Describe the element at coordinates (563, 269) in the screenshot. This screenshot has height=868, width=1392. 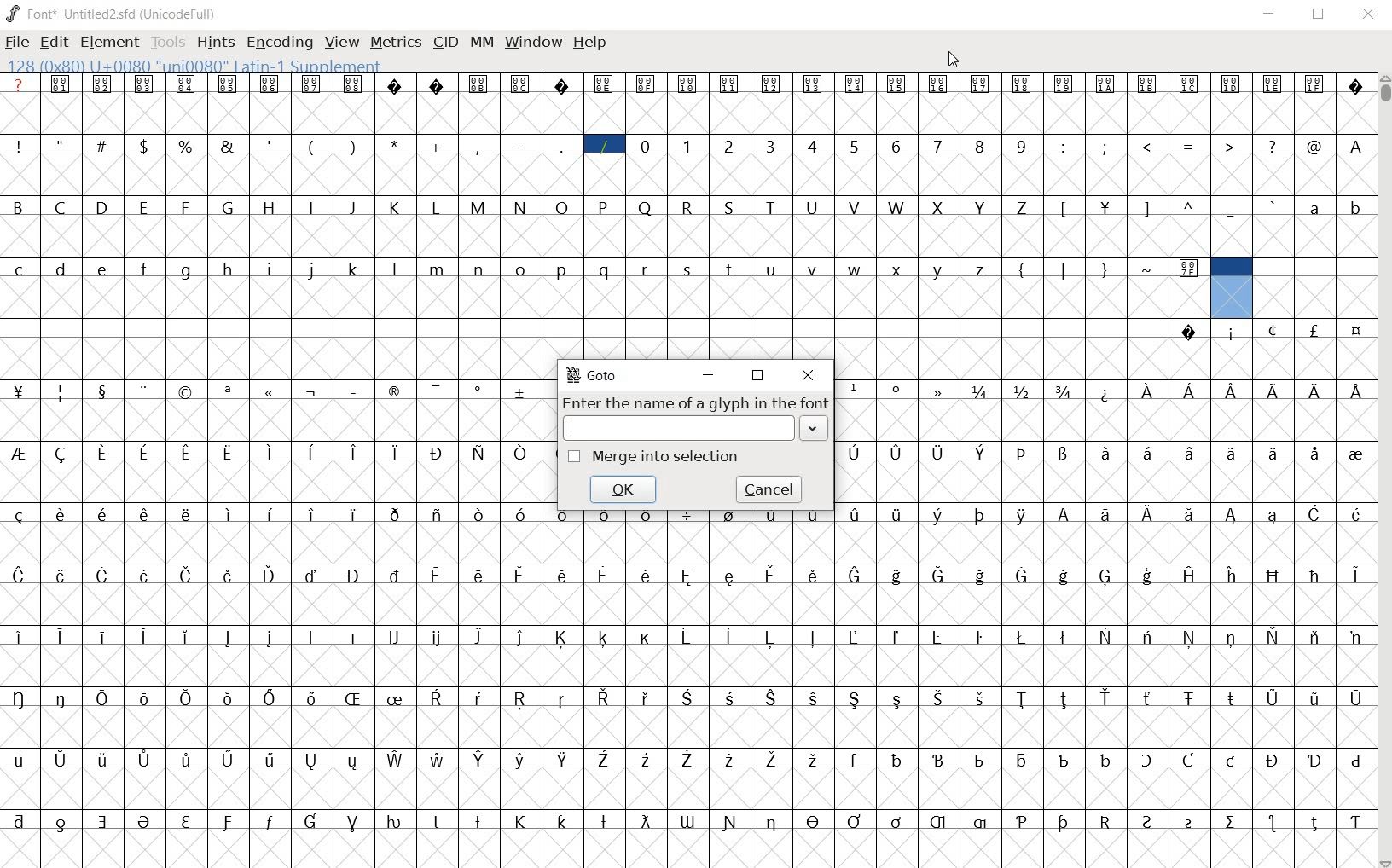
I see `p` at that location.